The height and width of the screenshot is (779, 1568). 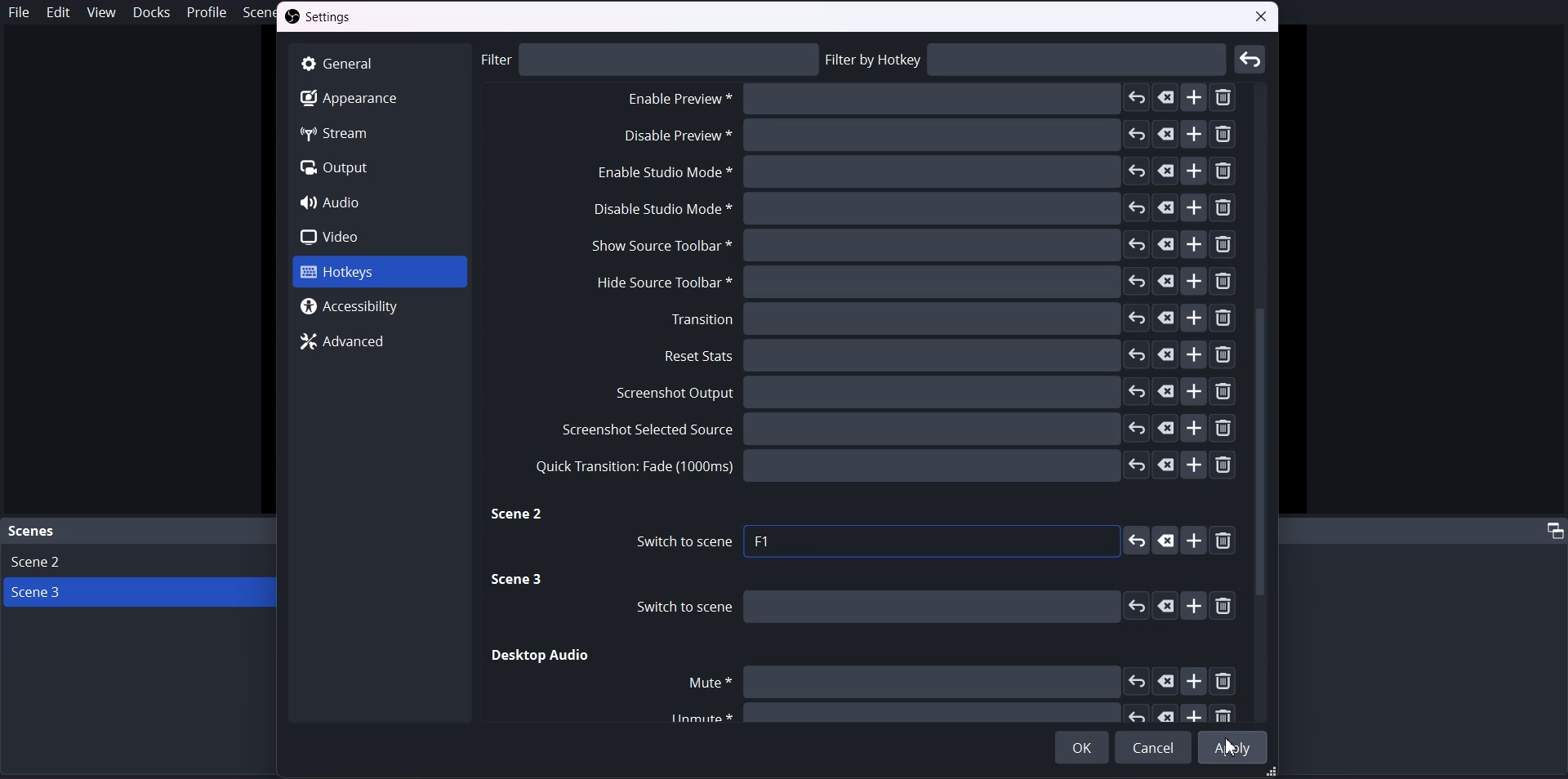 What do you see at coordinates (1234, 747) in the screenshot?
I see `Cursor on Apply` at bounding box center [1234, 747].